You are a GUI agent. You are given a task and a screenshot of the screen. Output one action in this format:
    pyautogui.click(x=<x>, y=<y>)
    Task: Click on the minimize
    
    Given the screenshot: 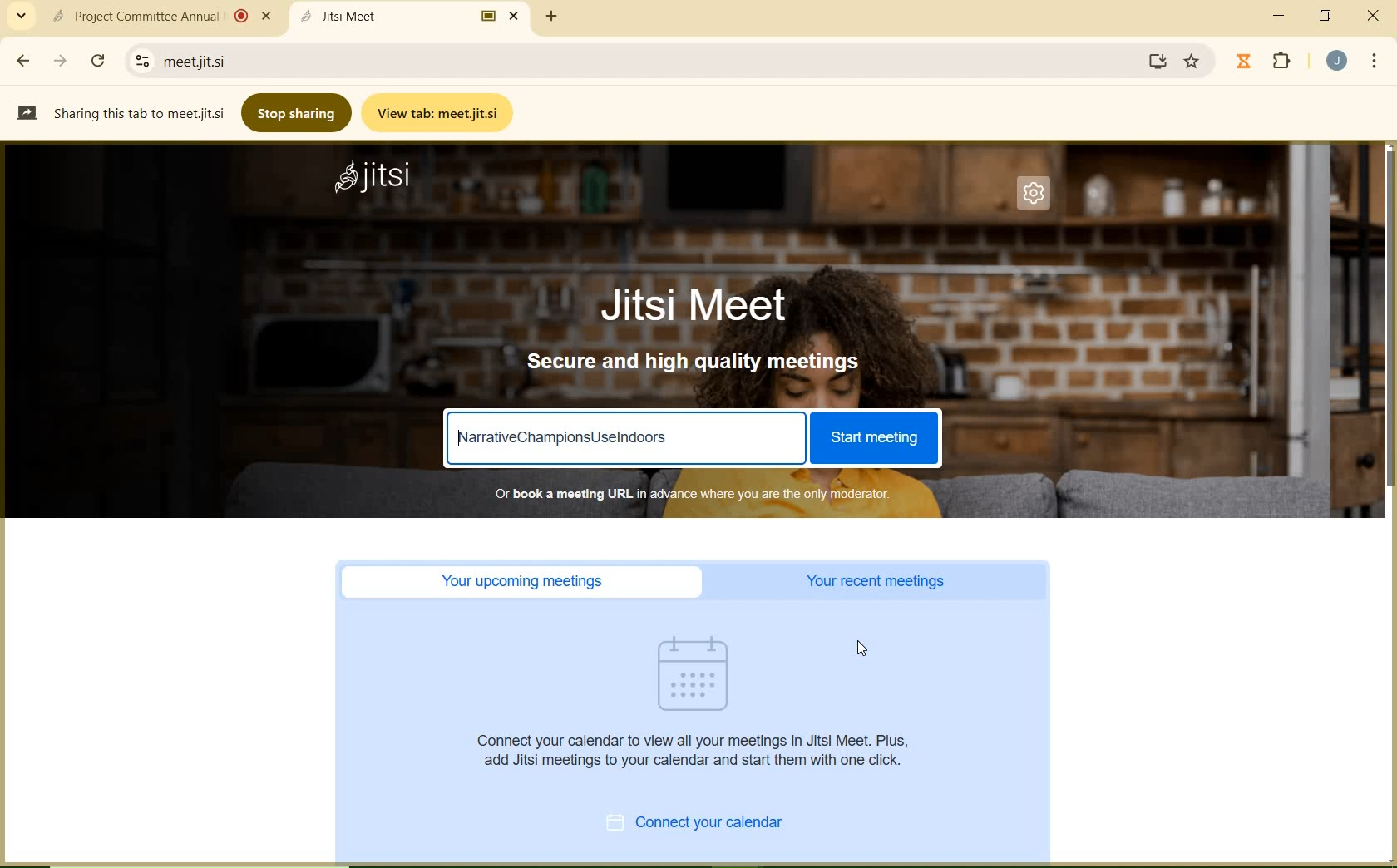 What is the action you would take?
    pyautogui.click(x=1279, y=16)
    